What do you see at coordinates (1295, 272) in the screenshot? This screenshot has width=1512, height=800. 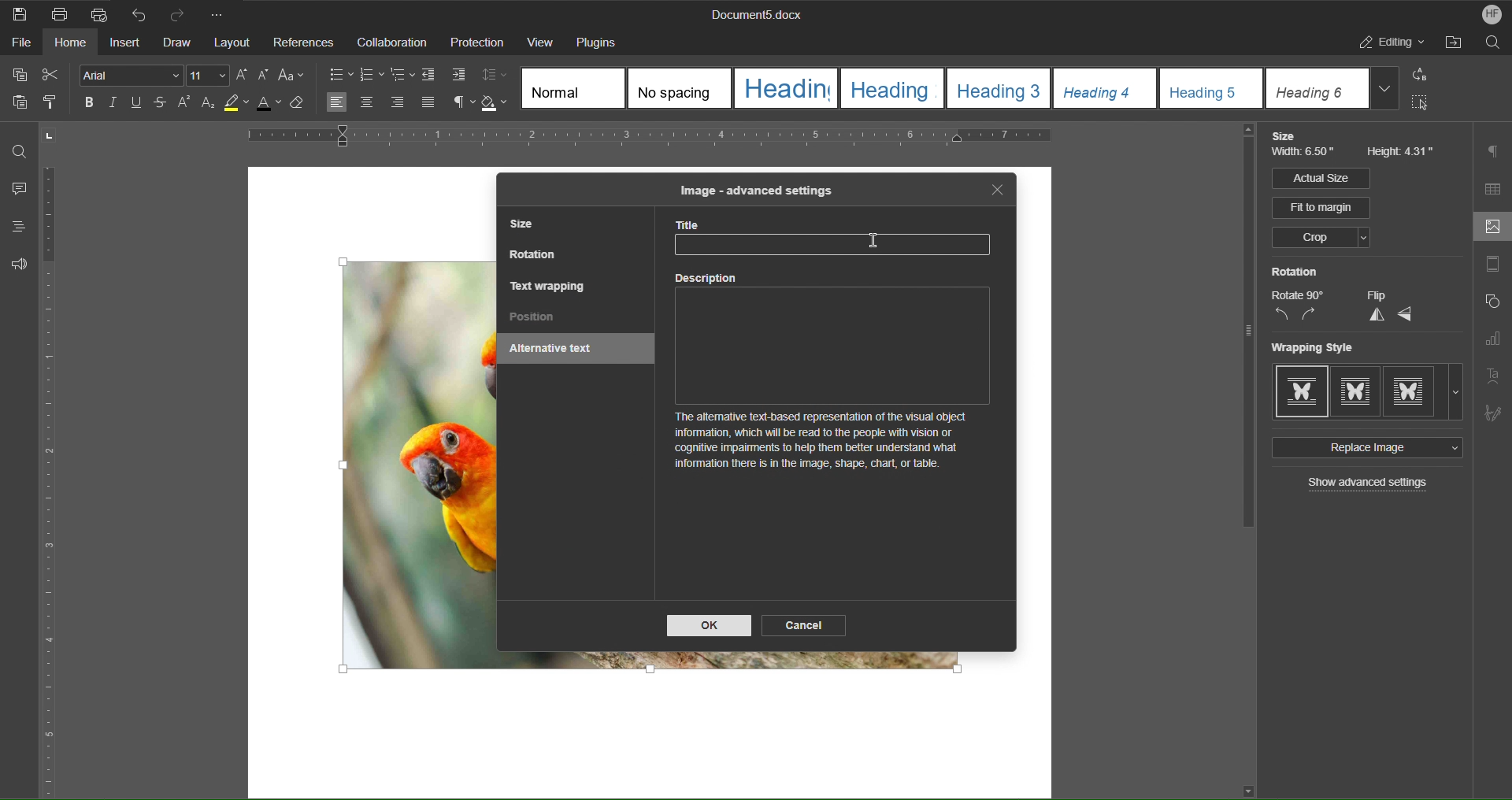 I see `Rotation` at bounding box center [1295, 272].